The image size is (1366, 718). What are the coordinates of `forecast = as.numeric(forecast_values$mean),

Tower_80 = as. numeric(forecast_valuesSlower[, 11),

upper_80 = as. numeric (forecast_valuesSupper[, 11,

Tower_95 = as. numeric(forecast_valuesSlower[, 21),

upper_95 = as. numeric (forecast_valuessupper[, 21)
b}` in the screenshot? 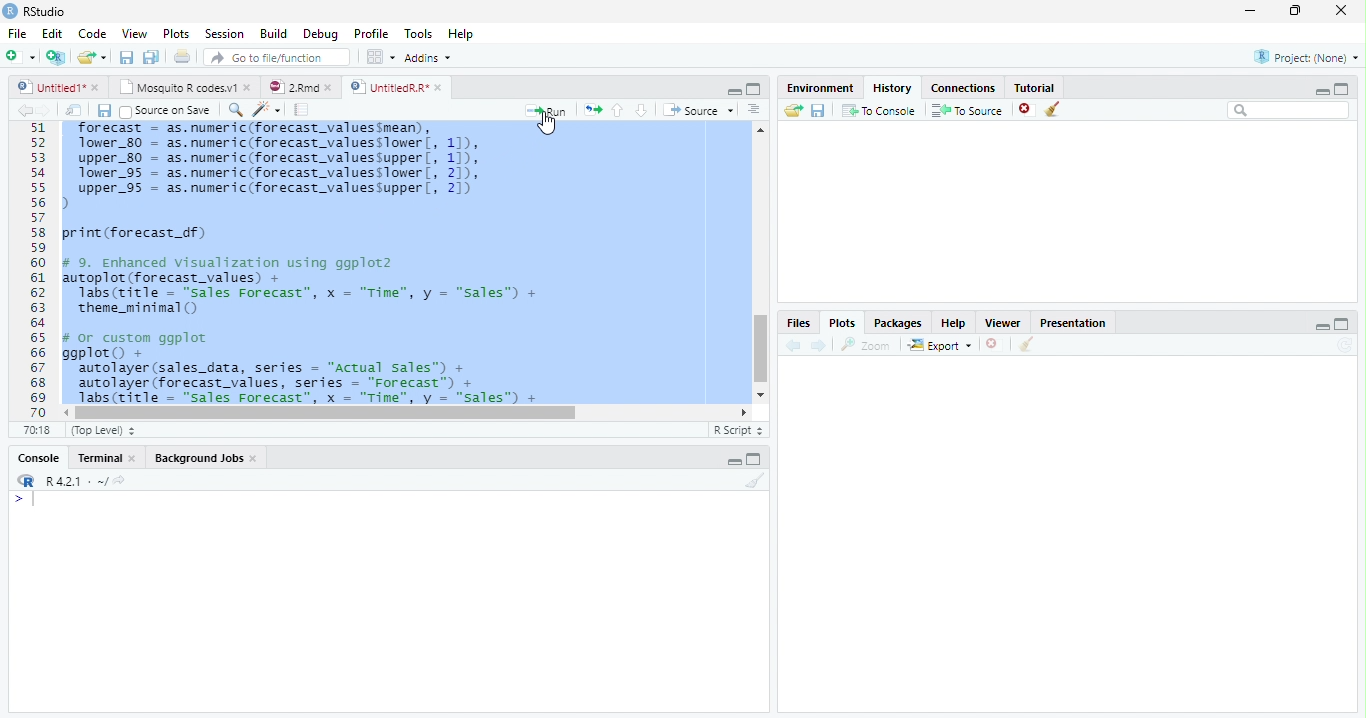 It's located at (291, 166).